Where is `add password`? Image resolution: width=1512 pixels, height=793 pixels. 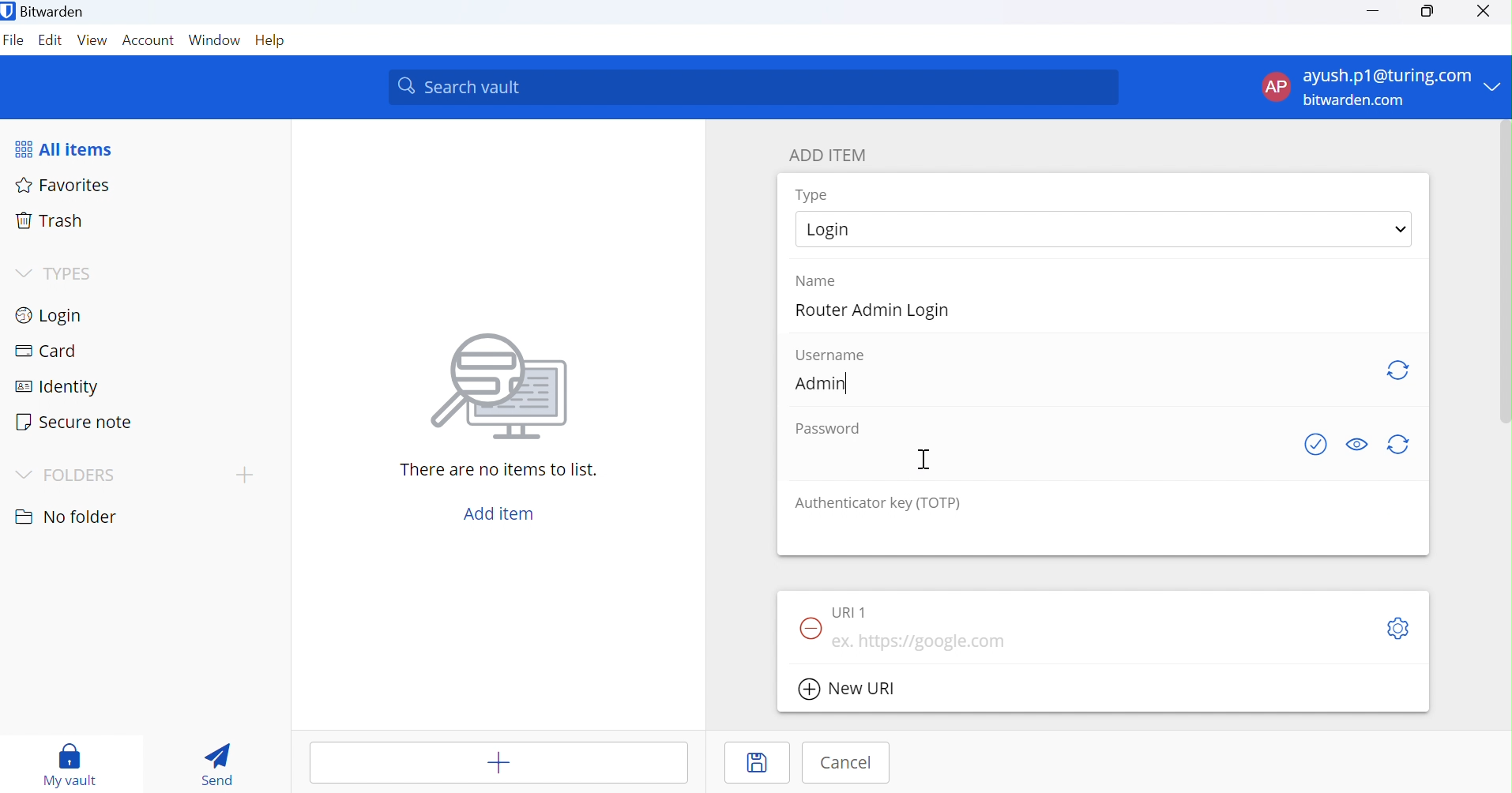 add password is located at coordinates (1038, 458).